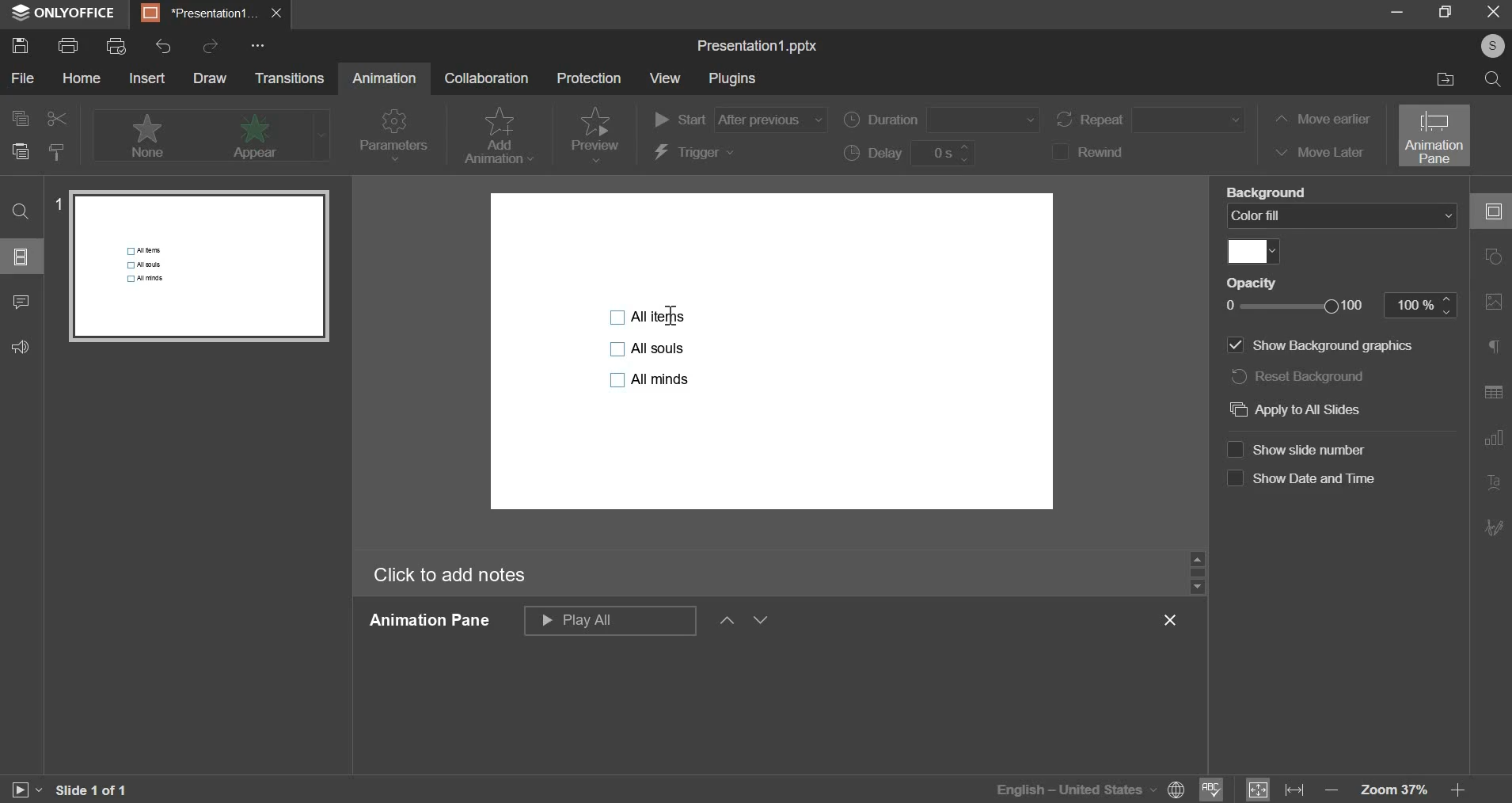 Image resolution: width=1512 pixels, height=803 pixels. Describe the element at coordinates (1309, 377) in the screenshot. I see `reset background` at that location.